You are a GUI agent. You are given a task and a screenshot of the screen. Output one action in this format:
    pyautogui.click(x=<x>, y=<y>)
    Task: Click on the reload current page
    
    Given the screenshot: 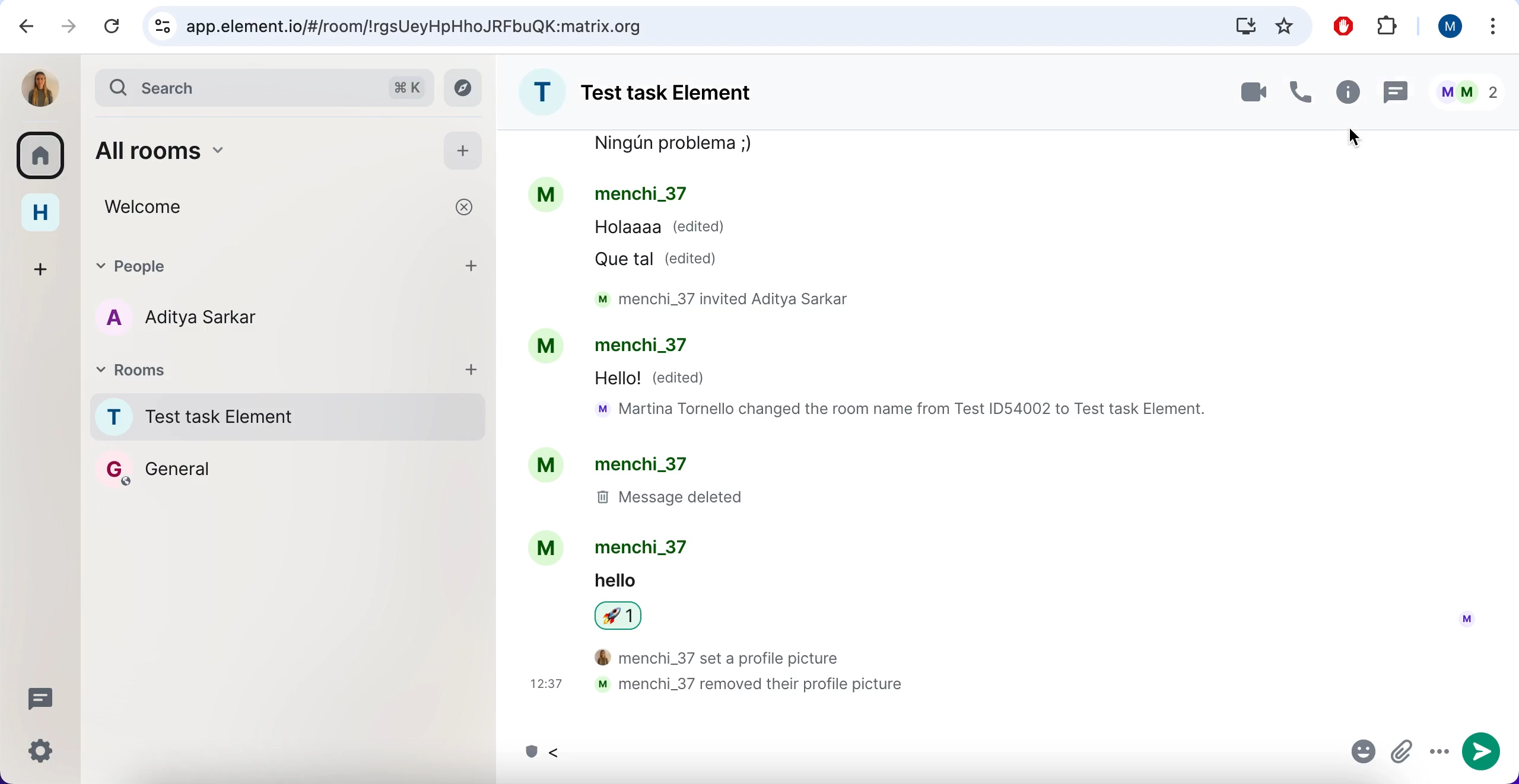 What is the action you would take?
    pyautogui.click(x=110, y=27)
    